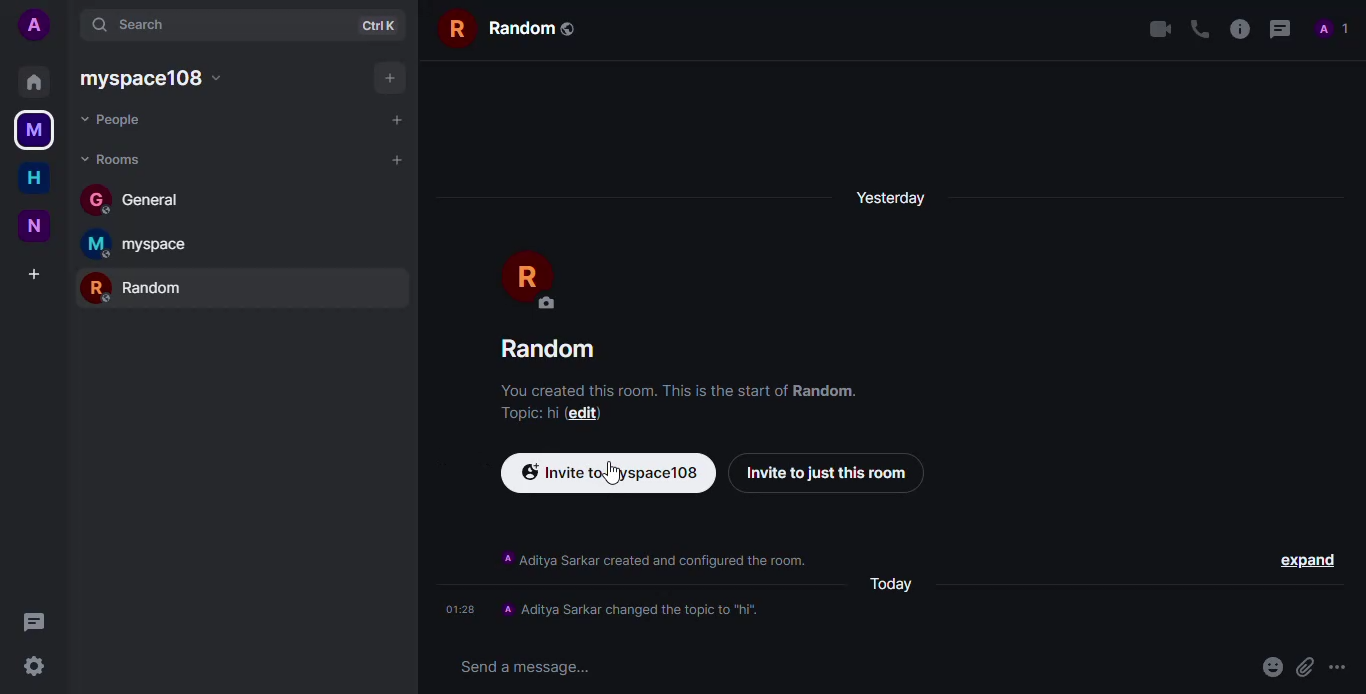  Describe the element at coordinates (35, 274) in the screenshot. I see `add` at that location.